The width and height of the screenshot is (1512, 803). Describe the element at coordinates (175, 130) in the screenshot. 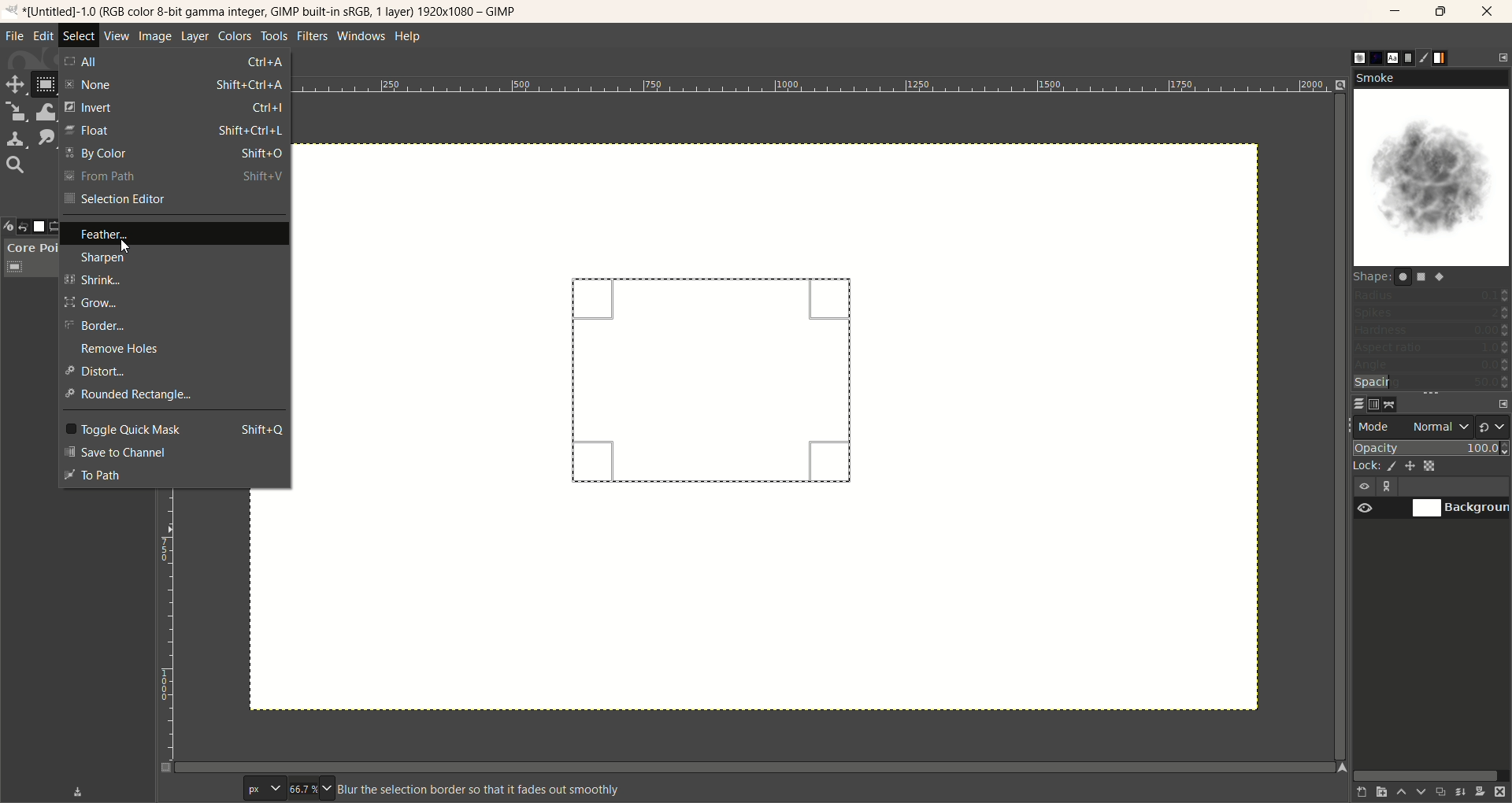

I see `float` at that location.